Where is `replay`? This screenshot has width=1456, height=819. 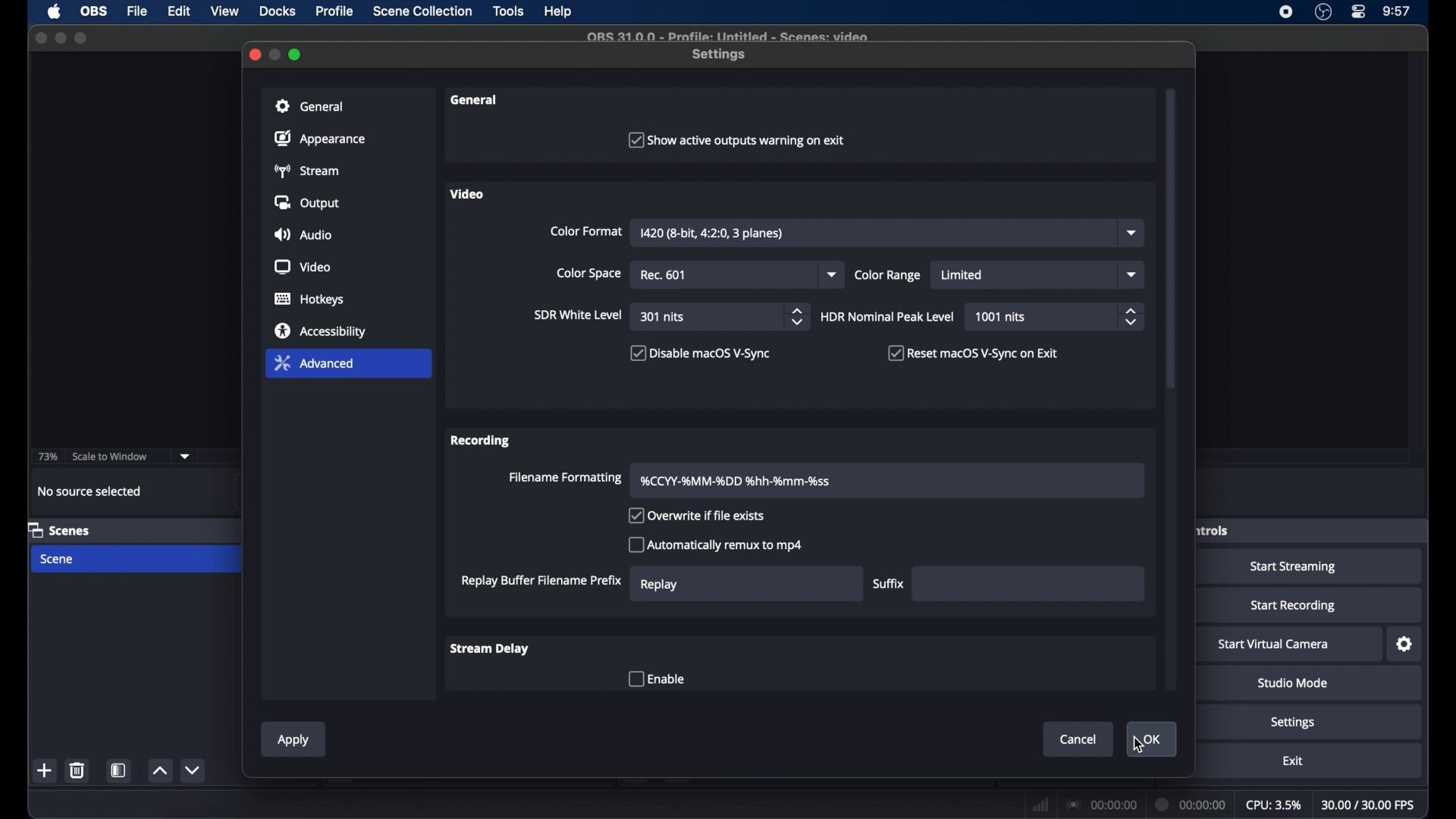 replay is located at coordinates (659, 585).